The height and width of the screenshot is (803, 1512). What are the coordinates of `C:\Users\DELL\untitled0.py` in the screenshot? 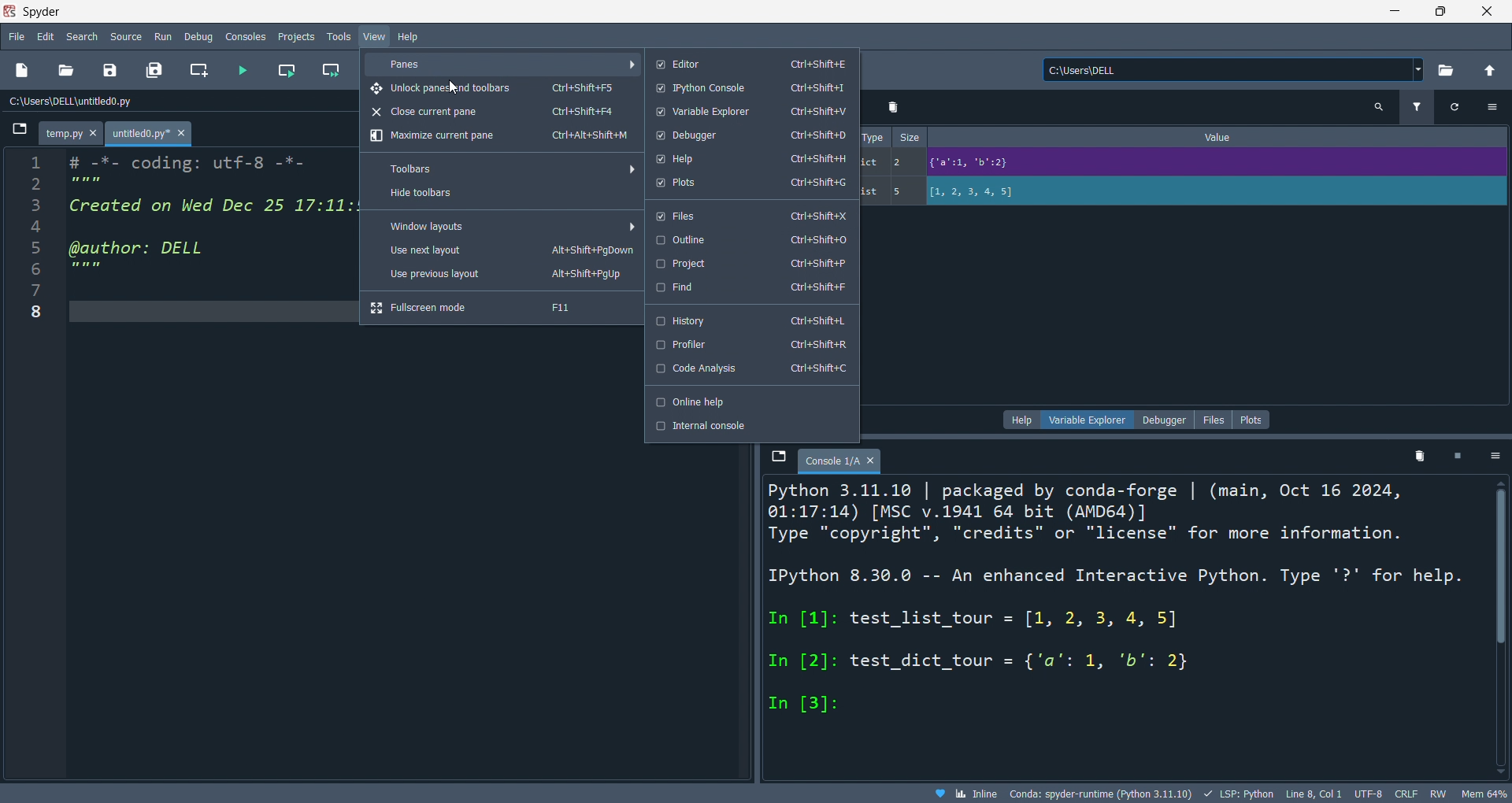 It's located at (91, 102).